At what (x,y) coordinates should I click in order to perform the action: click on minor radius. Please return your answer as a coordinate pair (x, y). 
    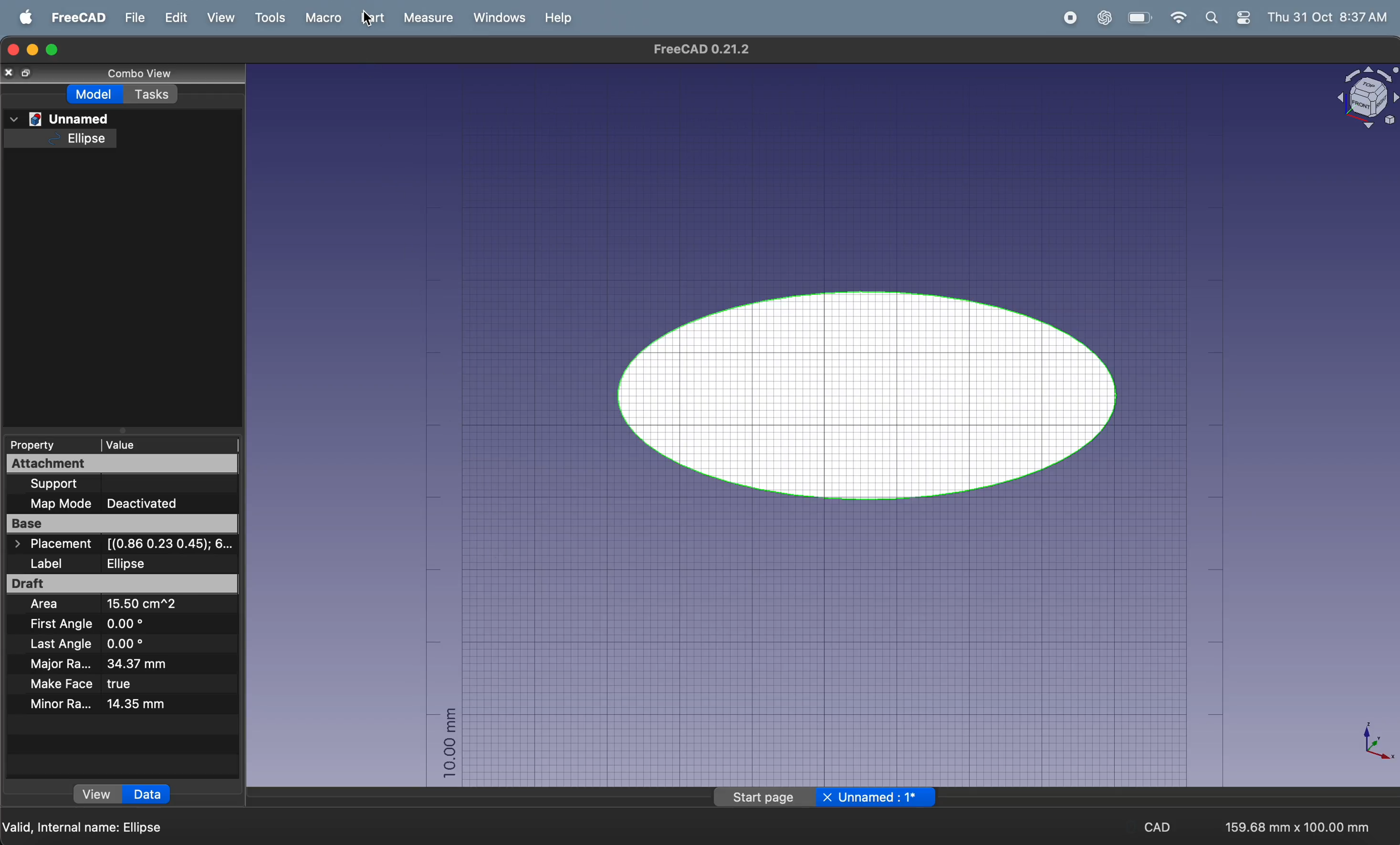
    Looking at the image, I should click on (103, 704).